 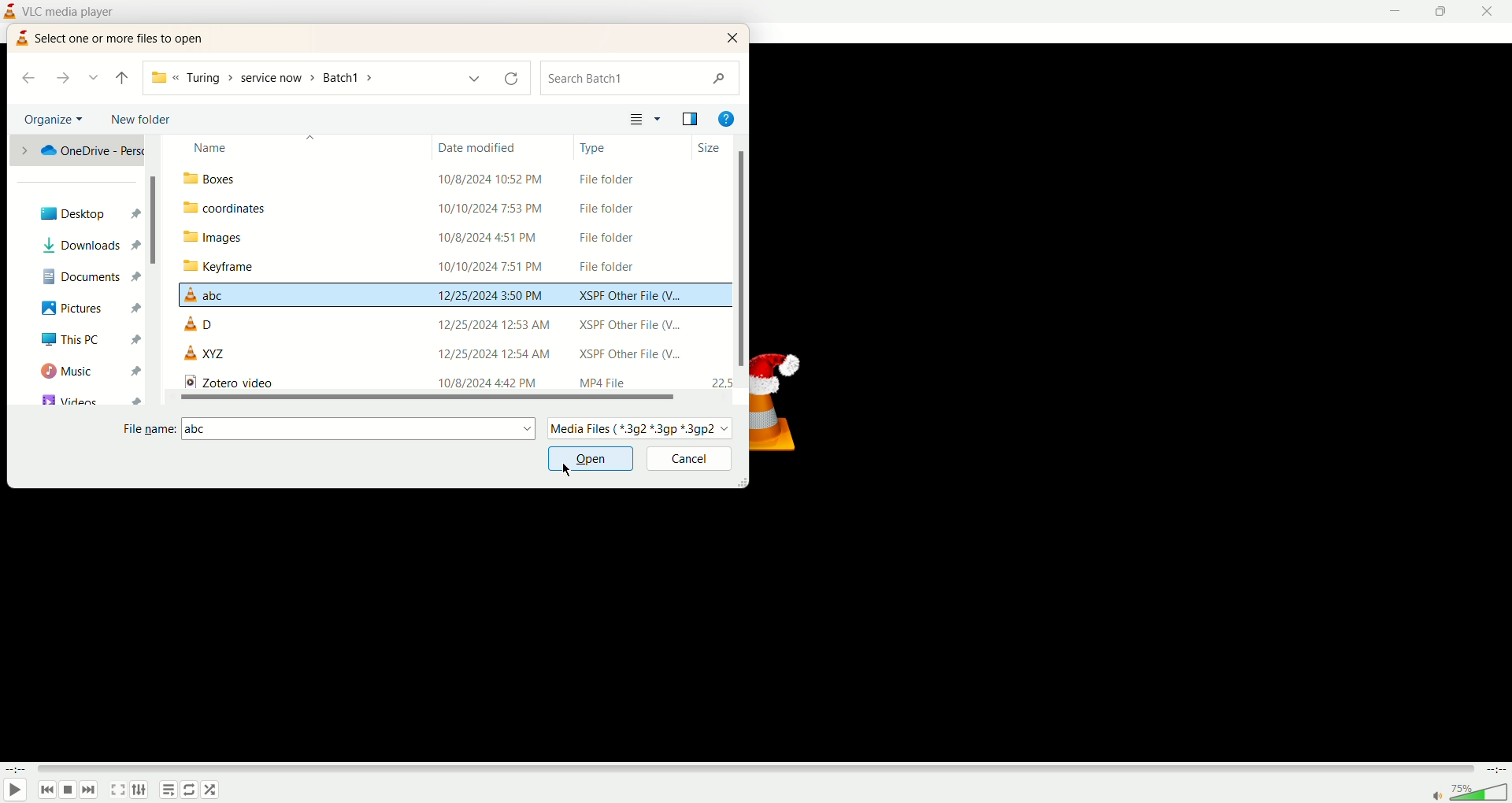 I want to click on logo, so click(x=9, y=10).